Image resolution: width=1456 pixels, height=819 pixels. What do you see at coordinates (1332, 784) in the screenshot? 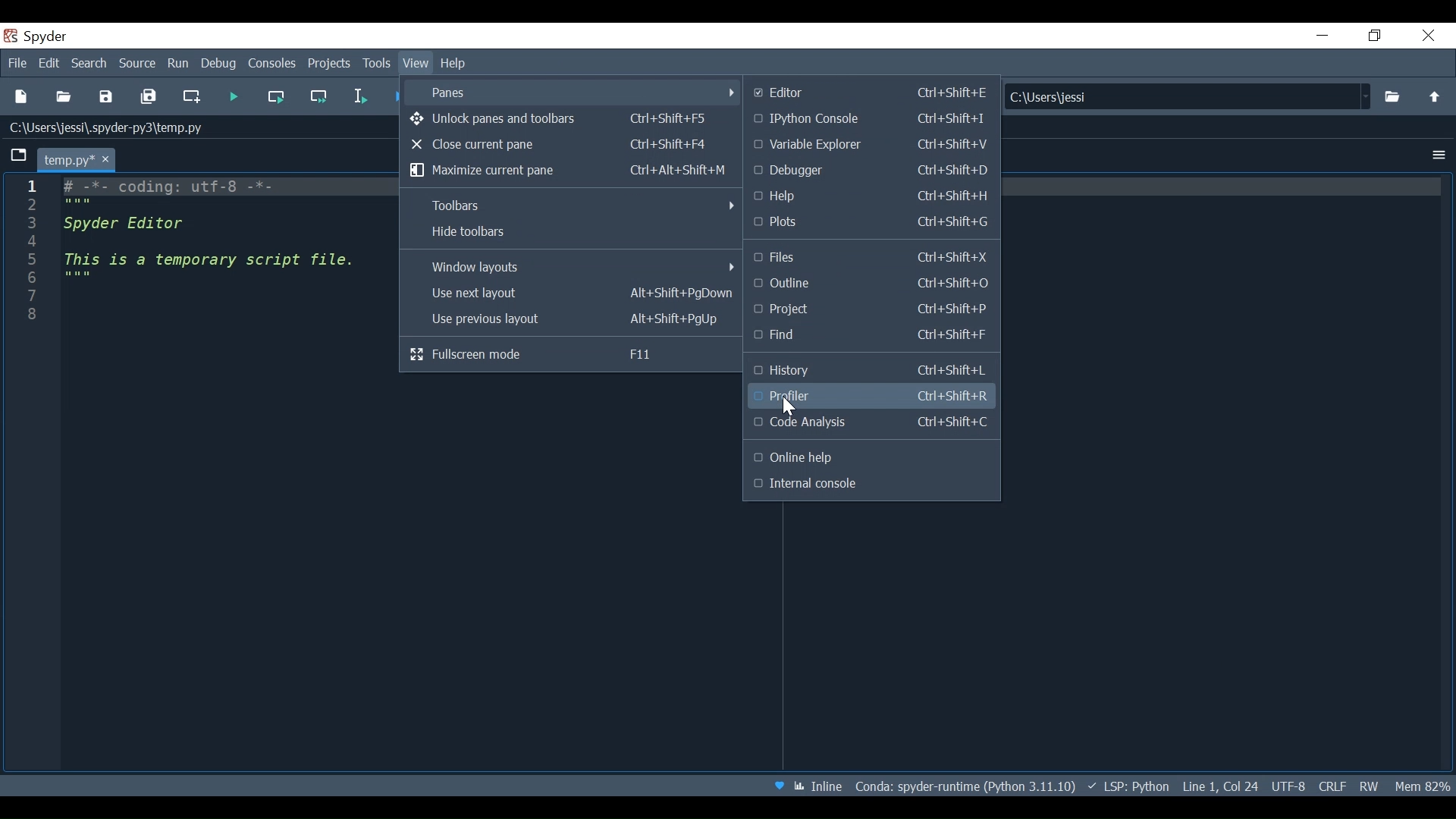
I see `File EQL Status` at bounding box center [1332, 784].